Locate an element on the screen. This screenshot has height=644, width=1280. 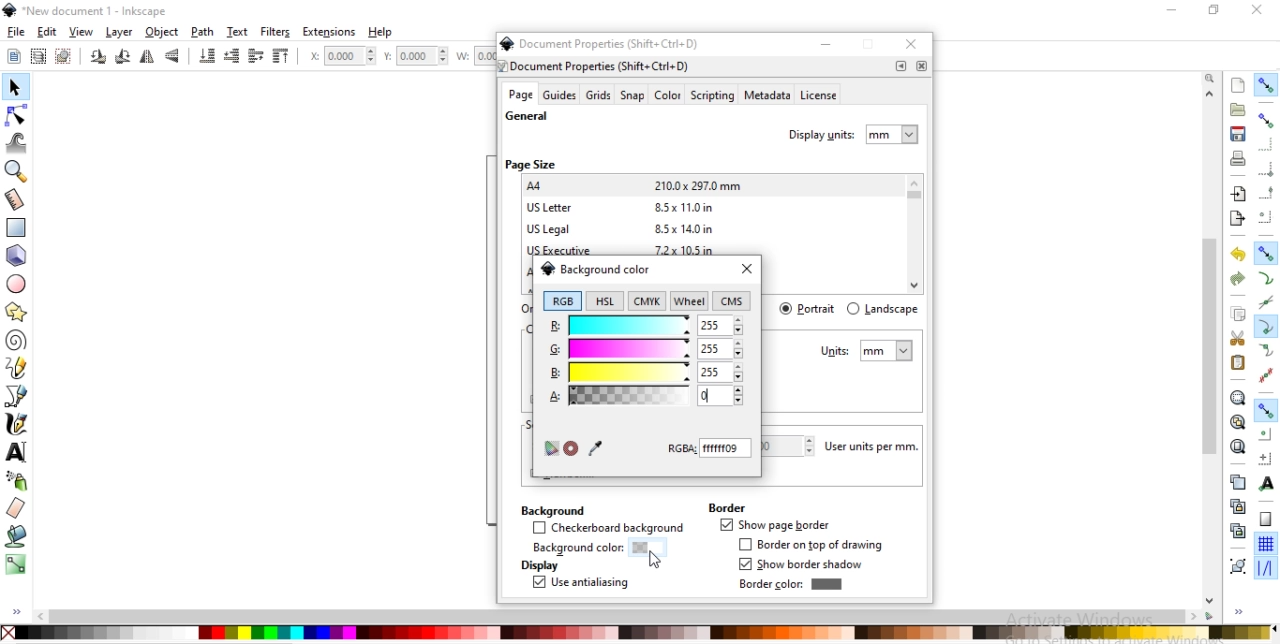
rotate 90 clockwise is located at coordinates (99, 58).